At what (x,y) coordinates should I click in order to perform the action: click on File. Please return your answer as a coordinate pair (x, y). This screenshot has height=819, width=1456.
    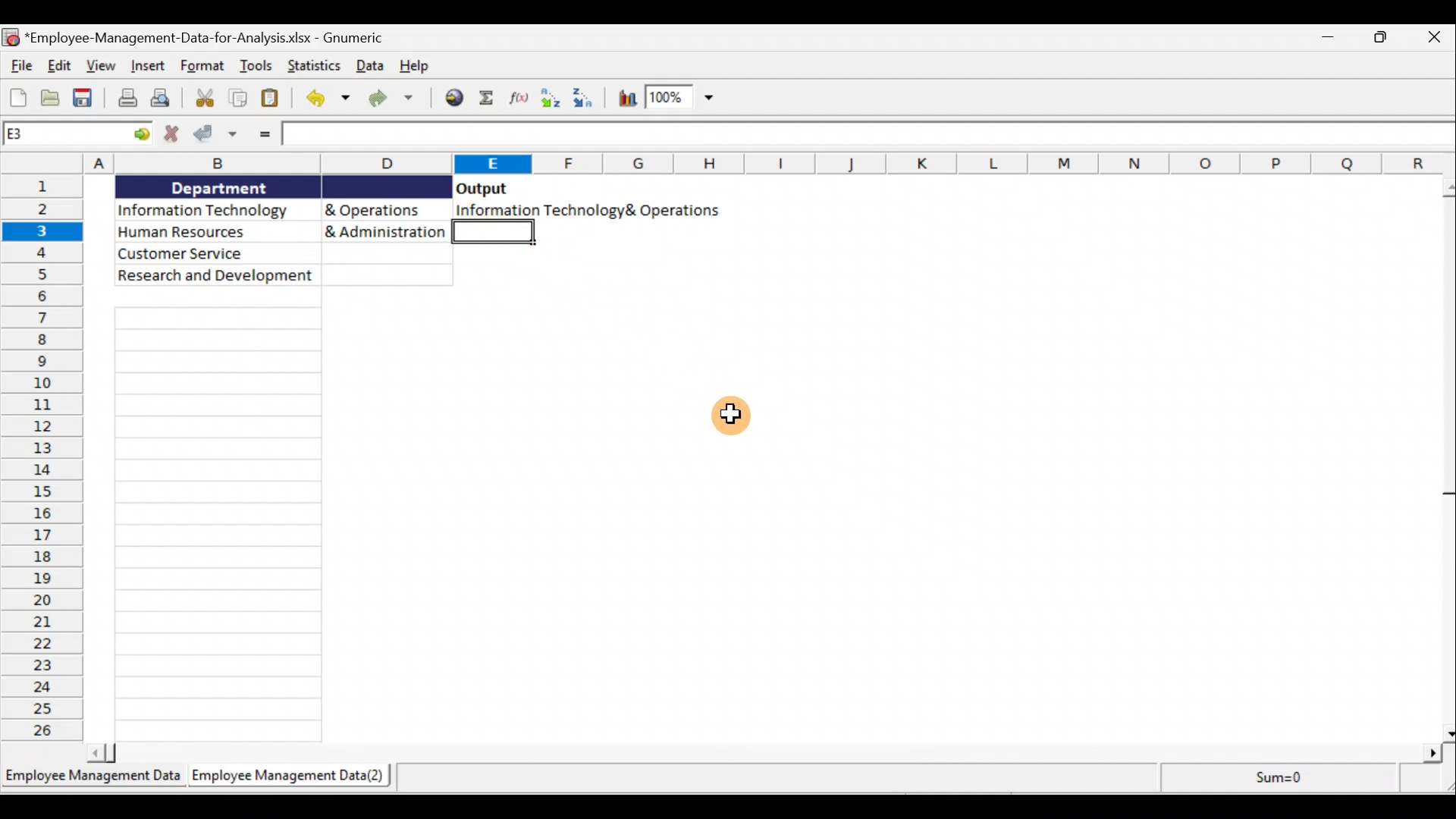
    Looking at the image, I should click on (20, 65).